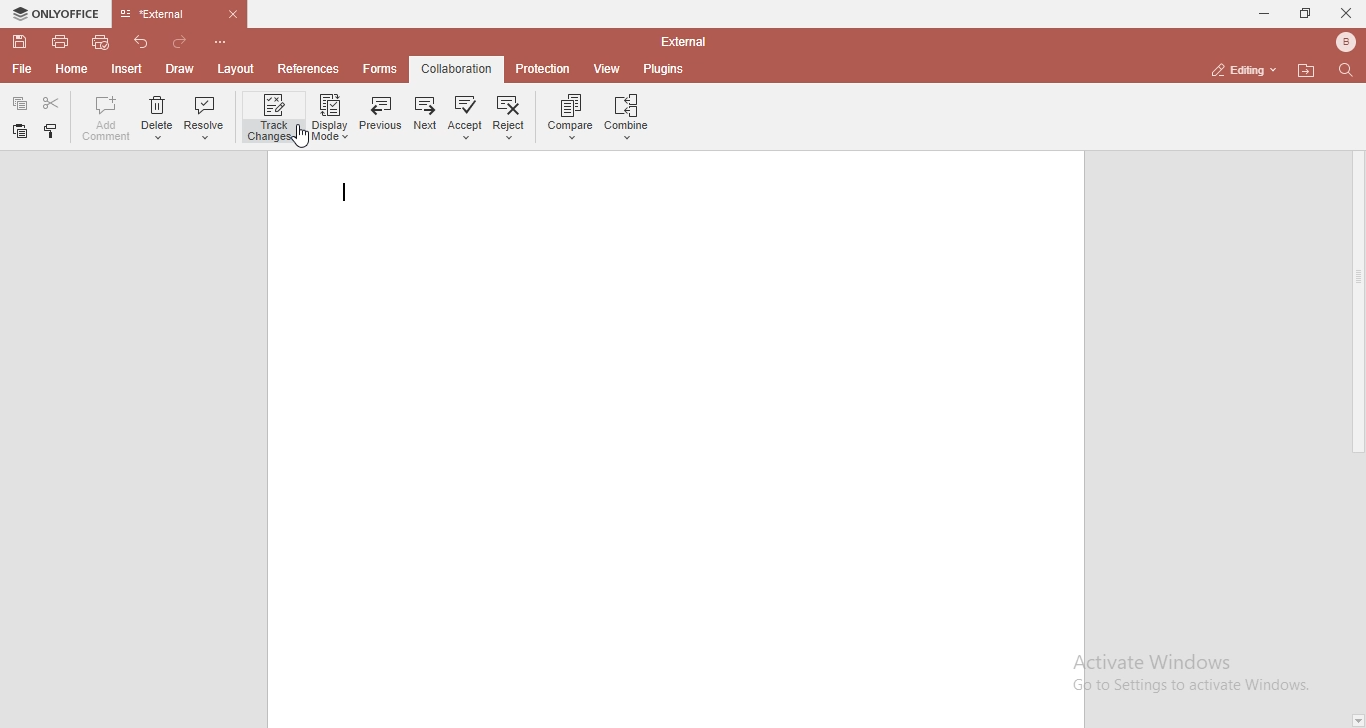  Describe the element at coordinates (182, 14) in the screenshot. I see `file tab name` at that location.